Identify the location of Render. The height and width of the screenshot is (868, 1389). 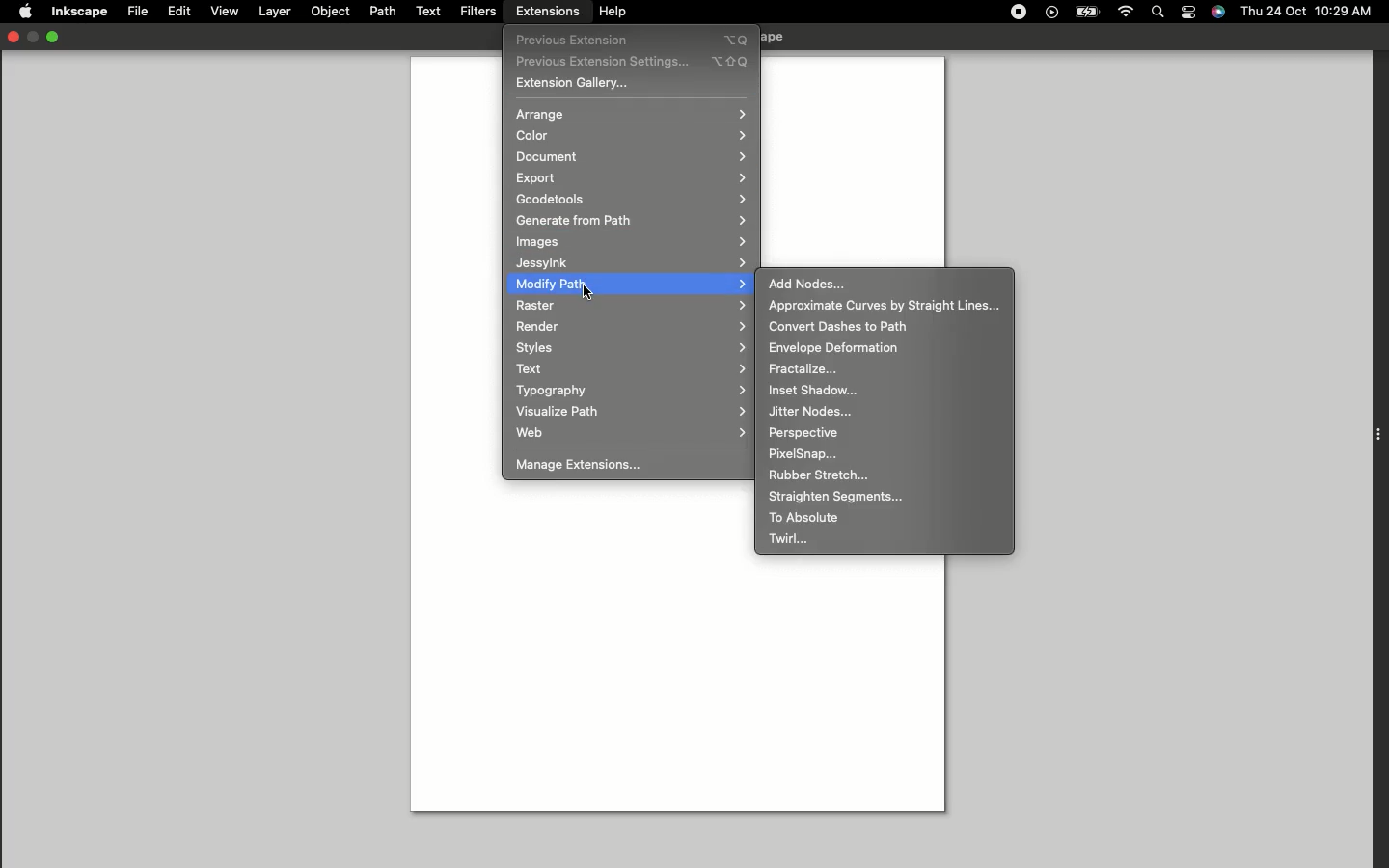
(633, 326).